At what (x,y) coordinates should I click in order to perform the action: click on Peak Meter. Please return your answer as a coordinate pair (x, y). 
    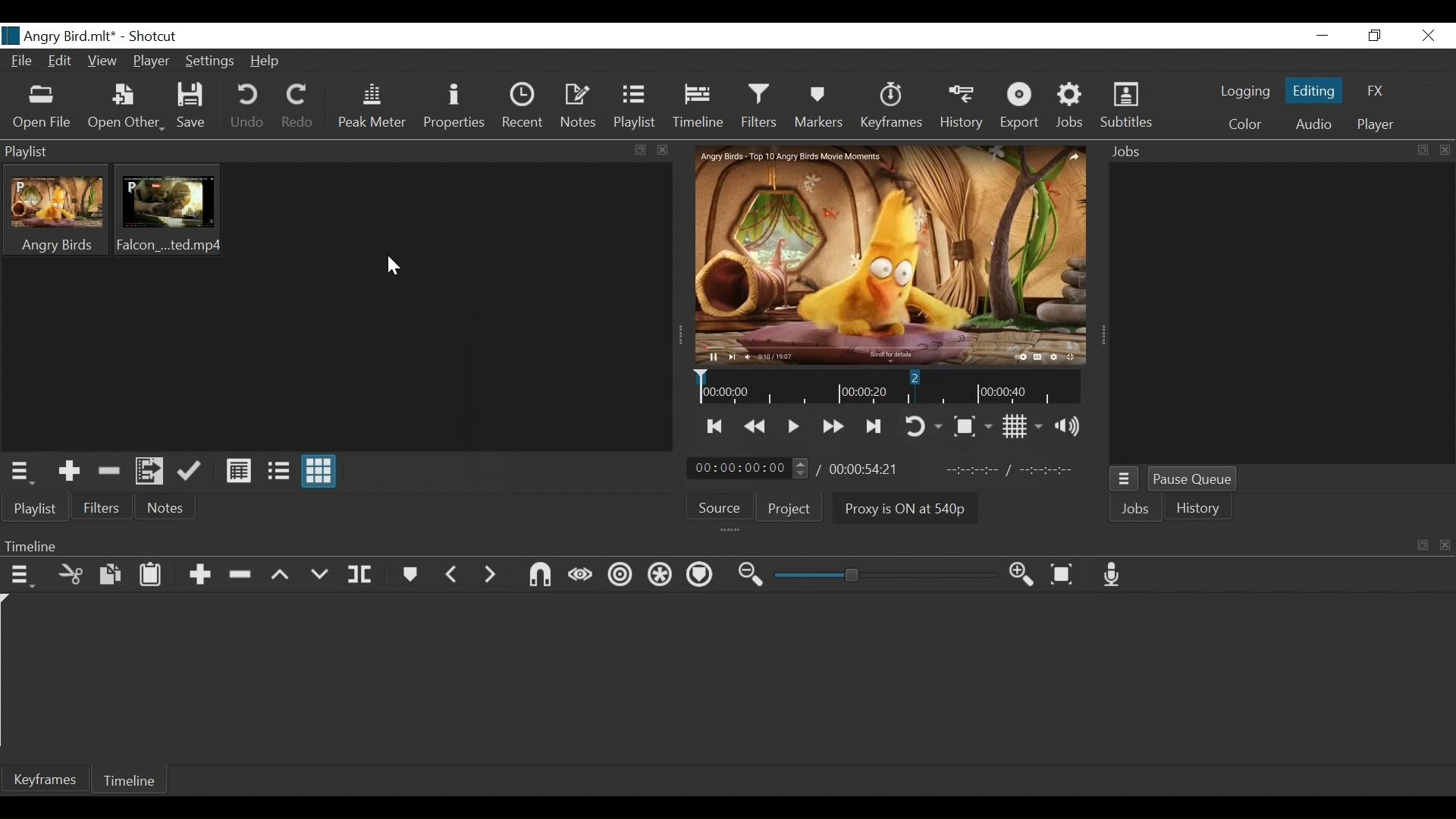
    Looking at the image, I should click on (374, 108).